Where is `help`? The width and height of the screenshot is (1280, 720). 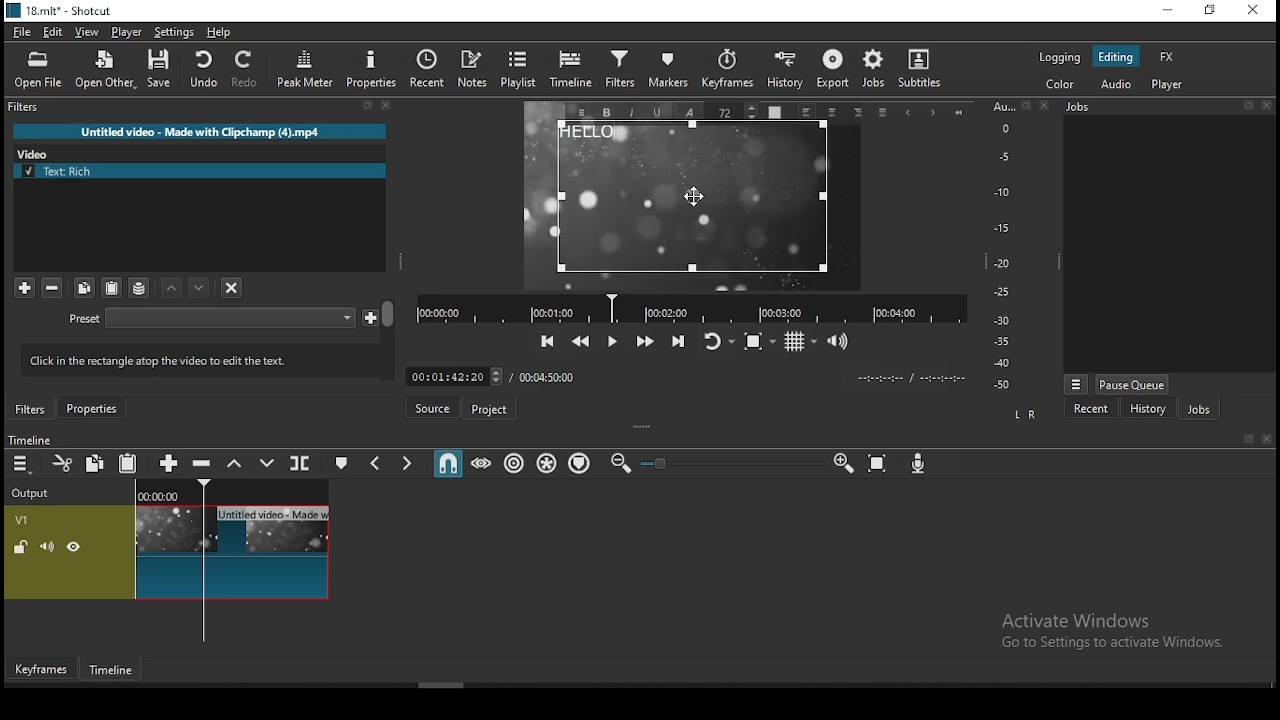
help is located at coordinates (219, 33).